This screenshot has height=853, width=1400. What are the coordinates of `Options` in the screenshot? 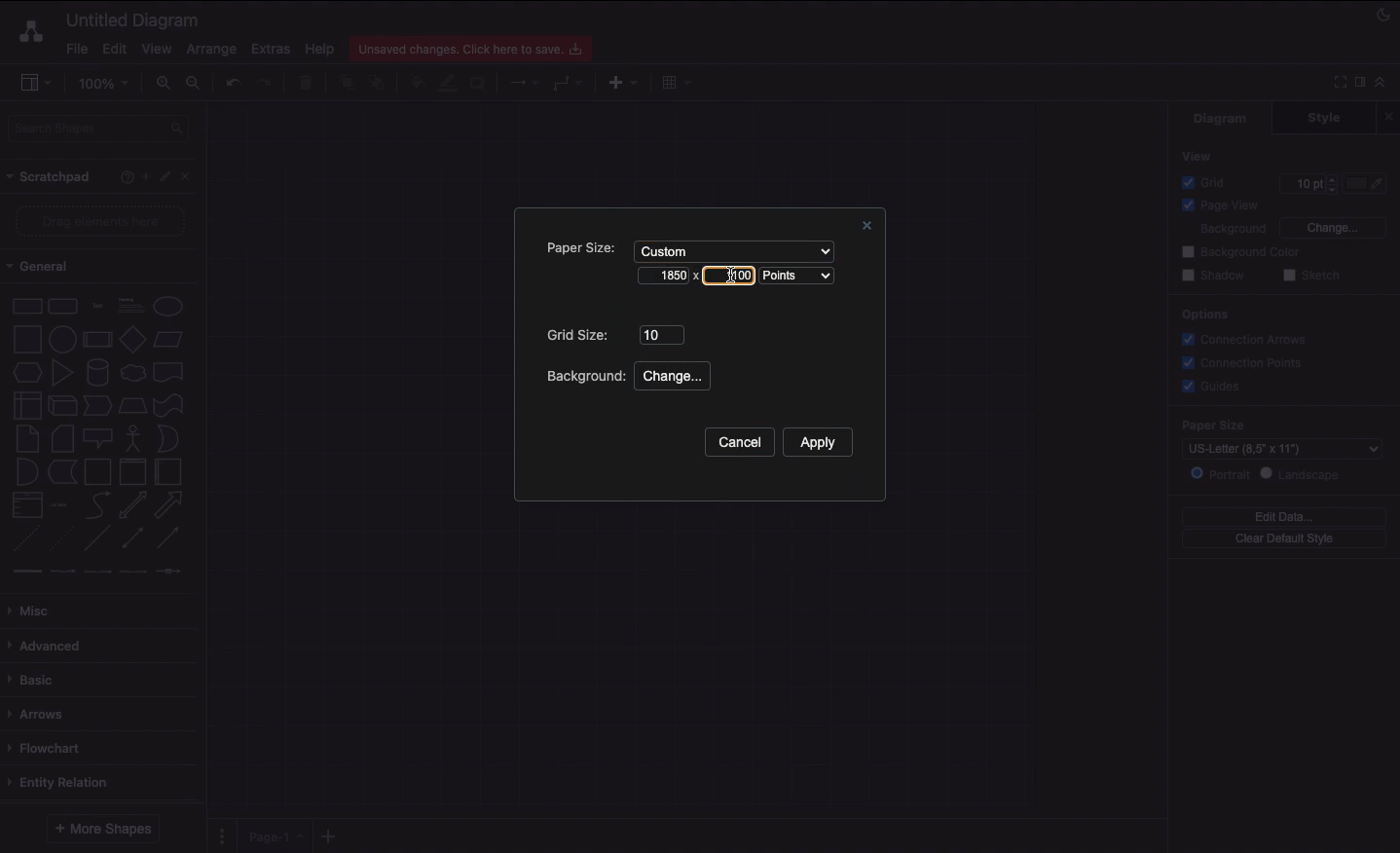 It's located at (1203, 314).